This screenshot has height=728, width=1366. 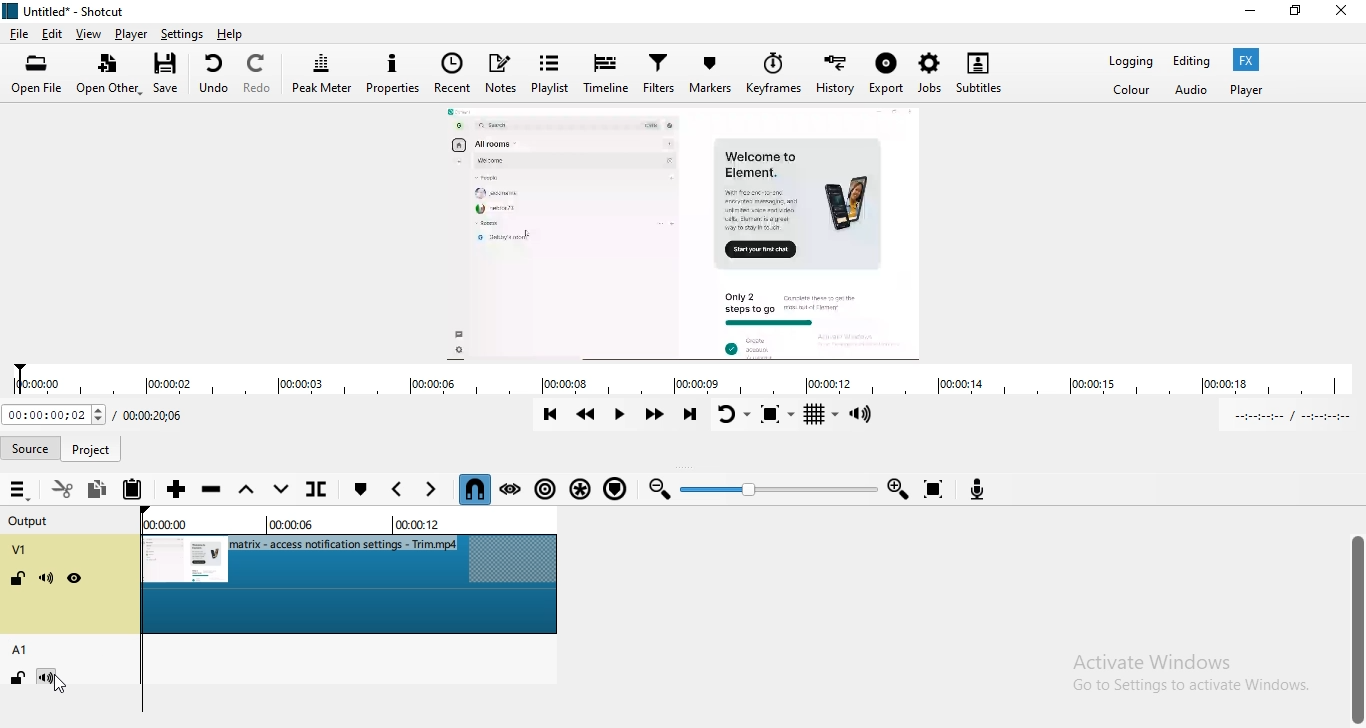 I want to click on Notes, so click(x=500, y=73).